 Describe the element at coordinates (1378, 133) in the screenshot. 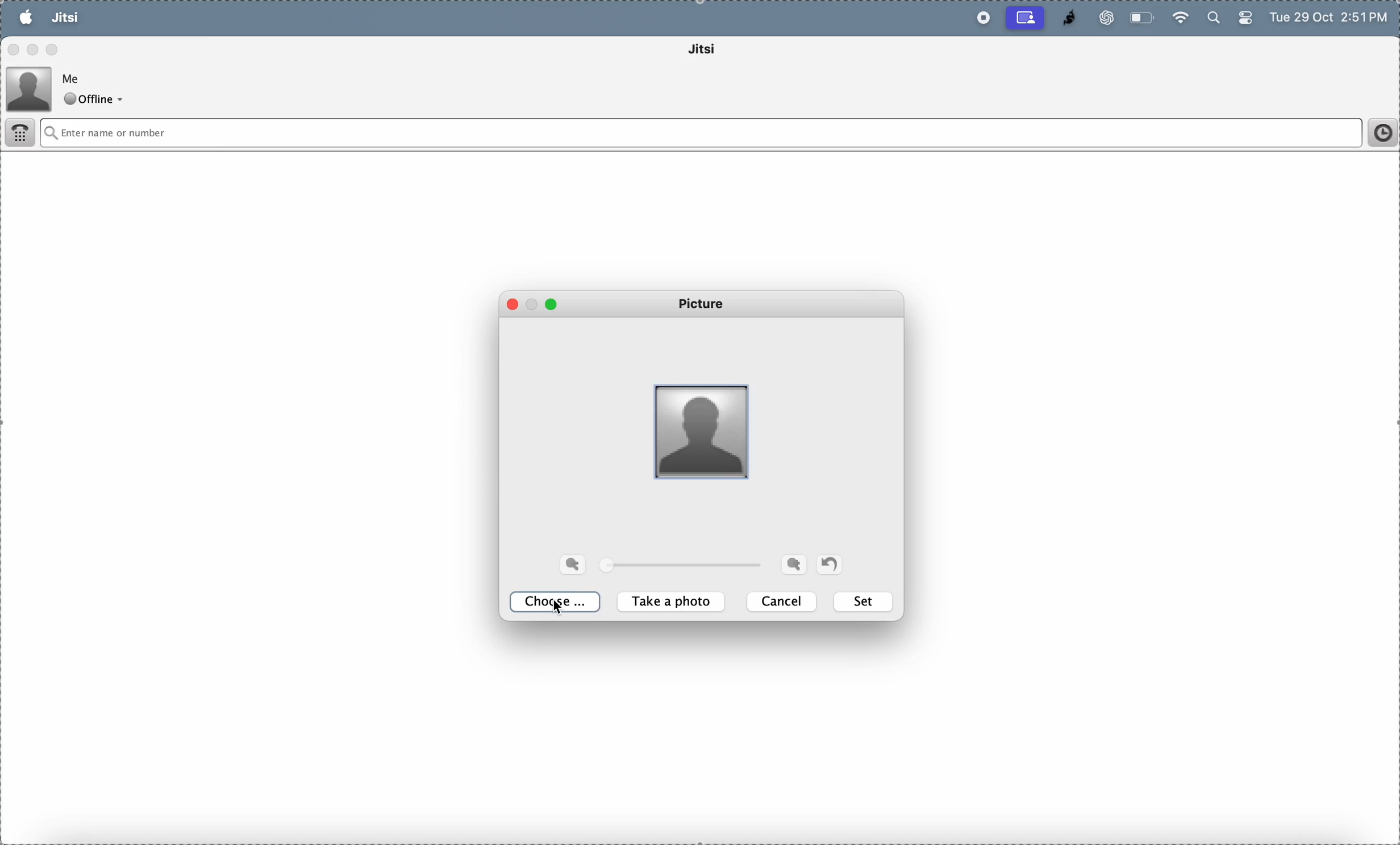

I see `time frame` at that location.